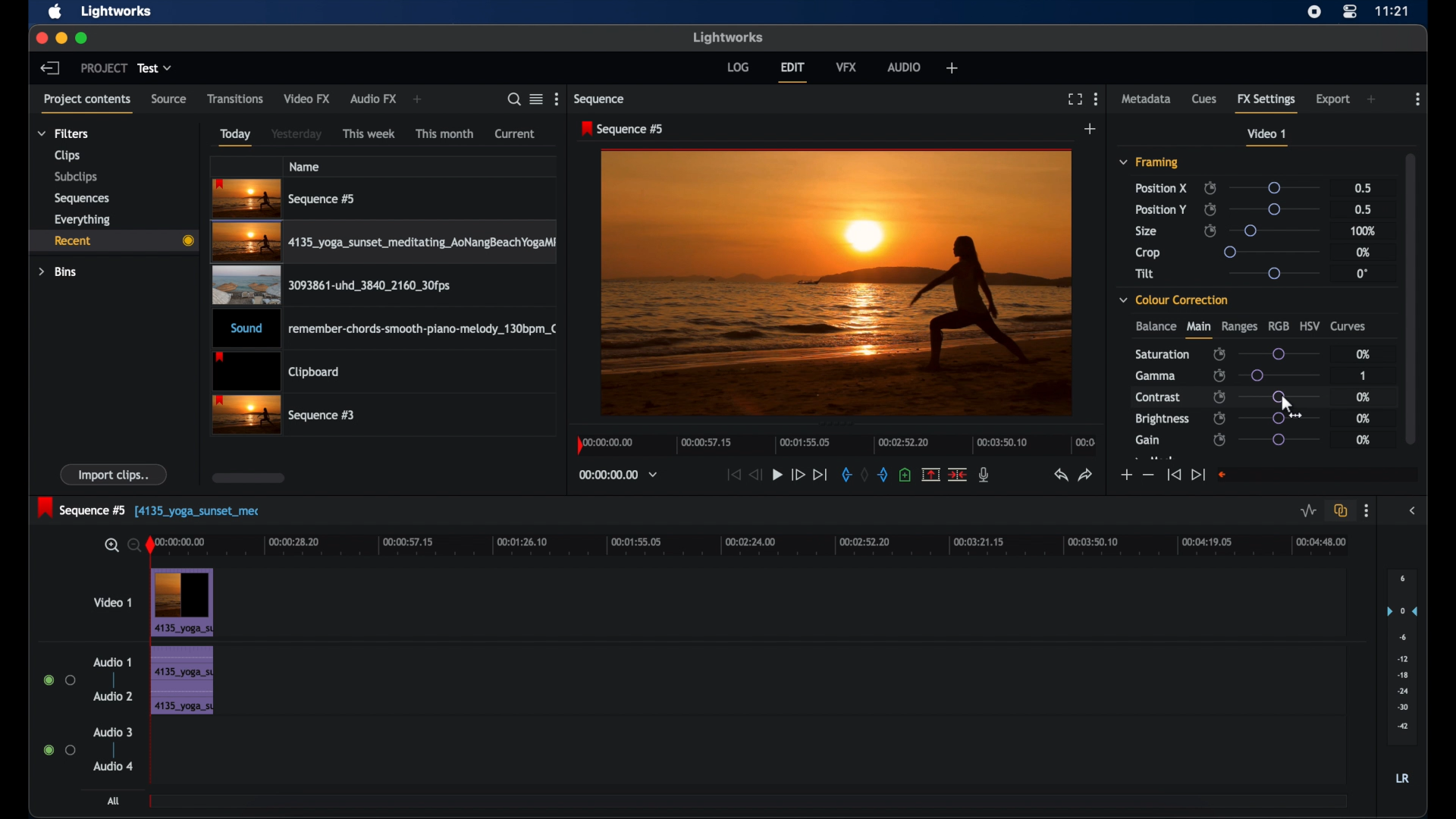 The height and width of the screenshot is (819, 1456). Describe the element at coordinates (1148, 475) in the screenshot. I see `decrement` at that location.